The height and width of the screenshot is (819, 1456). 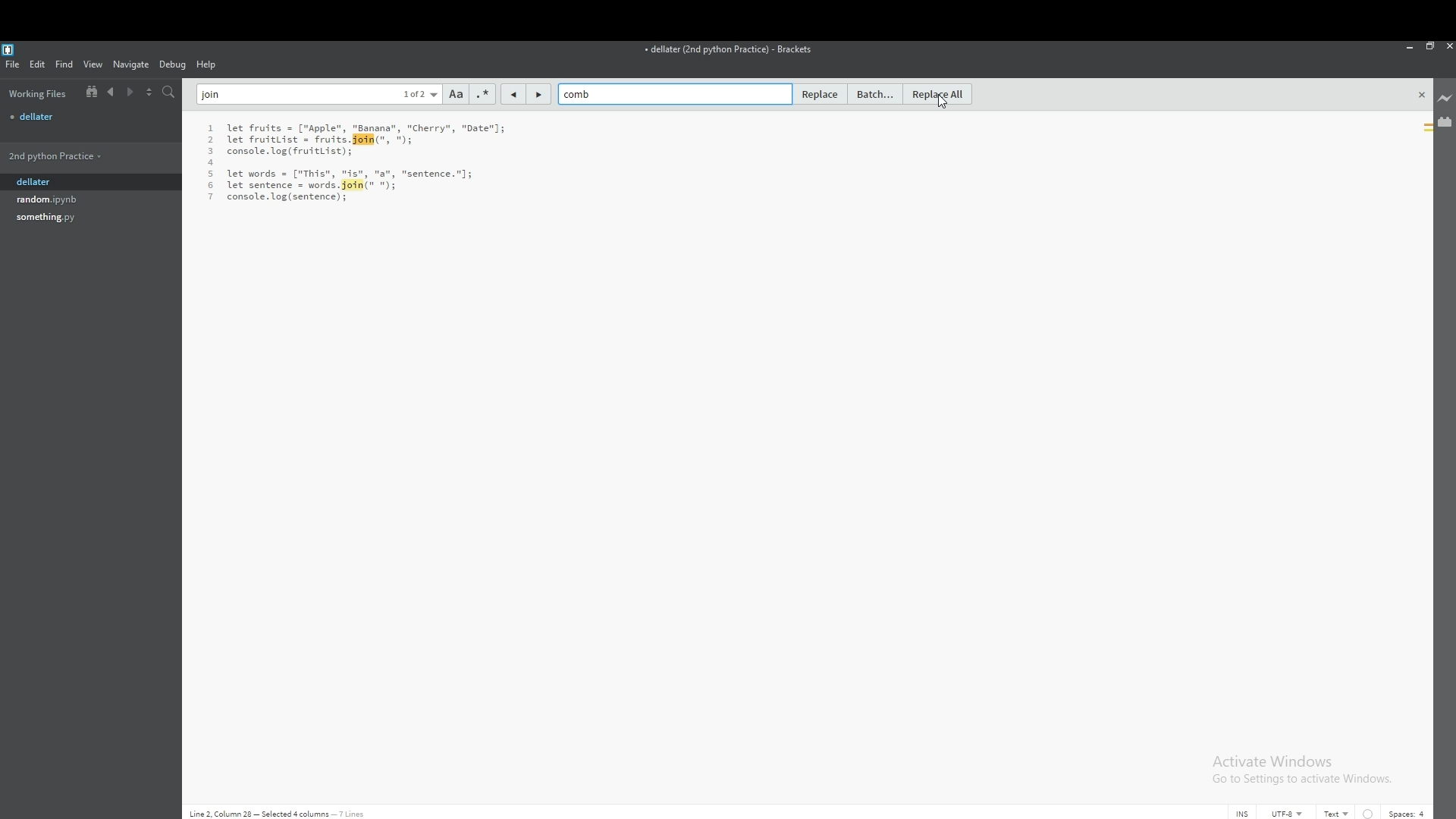 I want to click on resize, so click(x=1429, y=45).